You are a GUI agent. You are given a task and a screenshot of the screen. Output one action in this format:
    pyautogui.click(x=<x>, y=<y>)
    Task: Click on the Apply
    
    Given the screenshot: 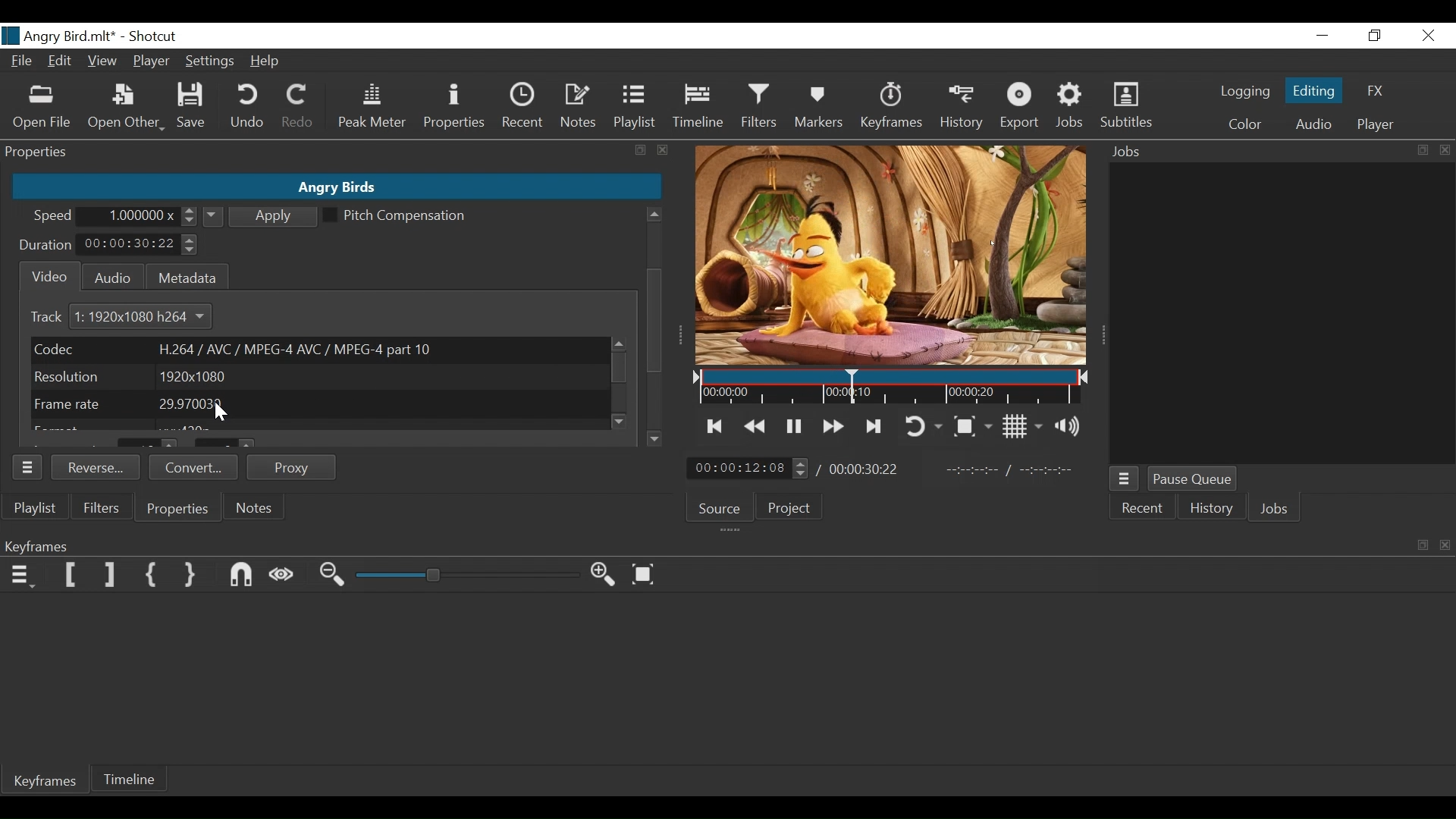 What is the action you would take?
    pyautogui.click(x=262, y=215)
    